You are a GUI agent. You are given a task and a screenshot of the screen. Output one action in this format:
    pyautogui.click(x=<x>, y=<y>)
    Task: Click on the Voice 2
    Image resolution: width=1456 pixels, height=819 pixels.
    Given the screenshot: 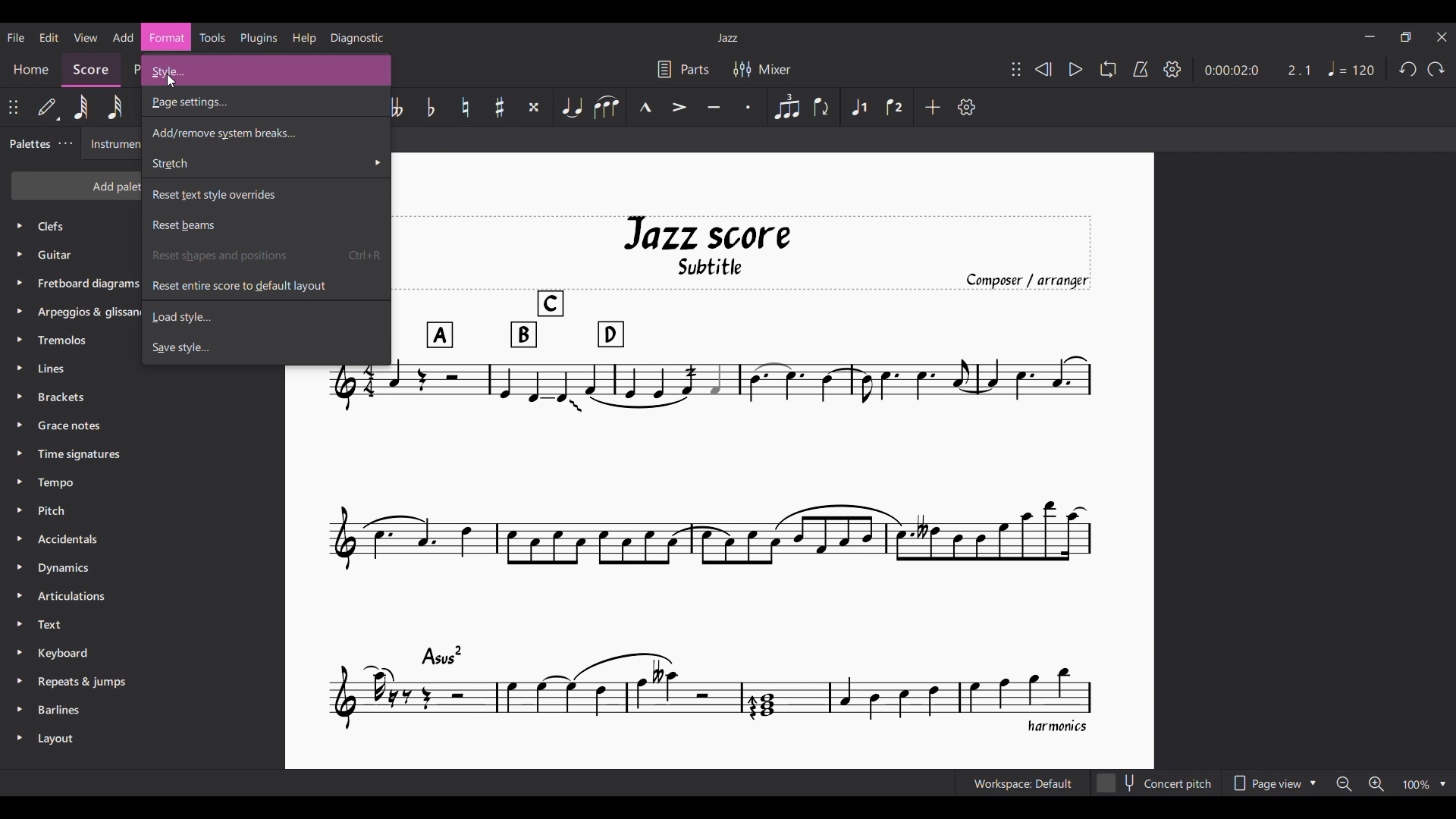 What is the action you would take?
    pyautogui.click(x=894, y=107)
    